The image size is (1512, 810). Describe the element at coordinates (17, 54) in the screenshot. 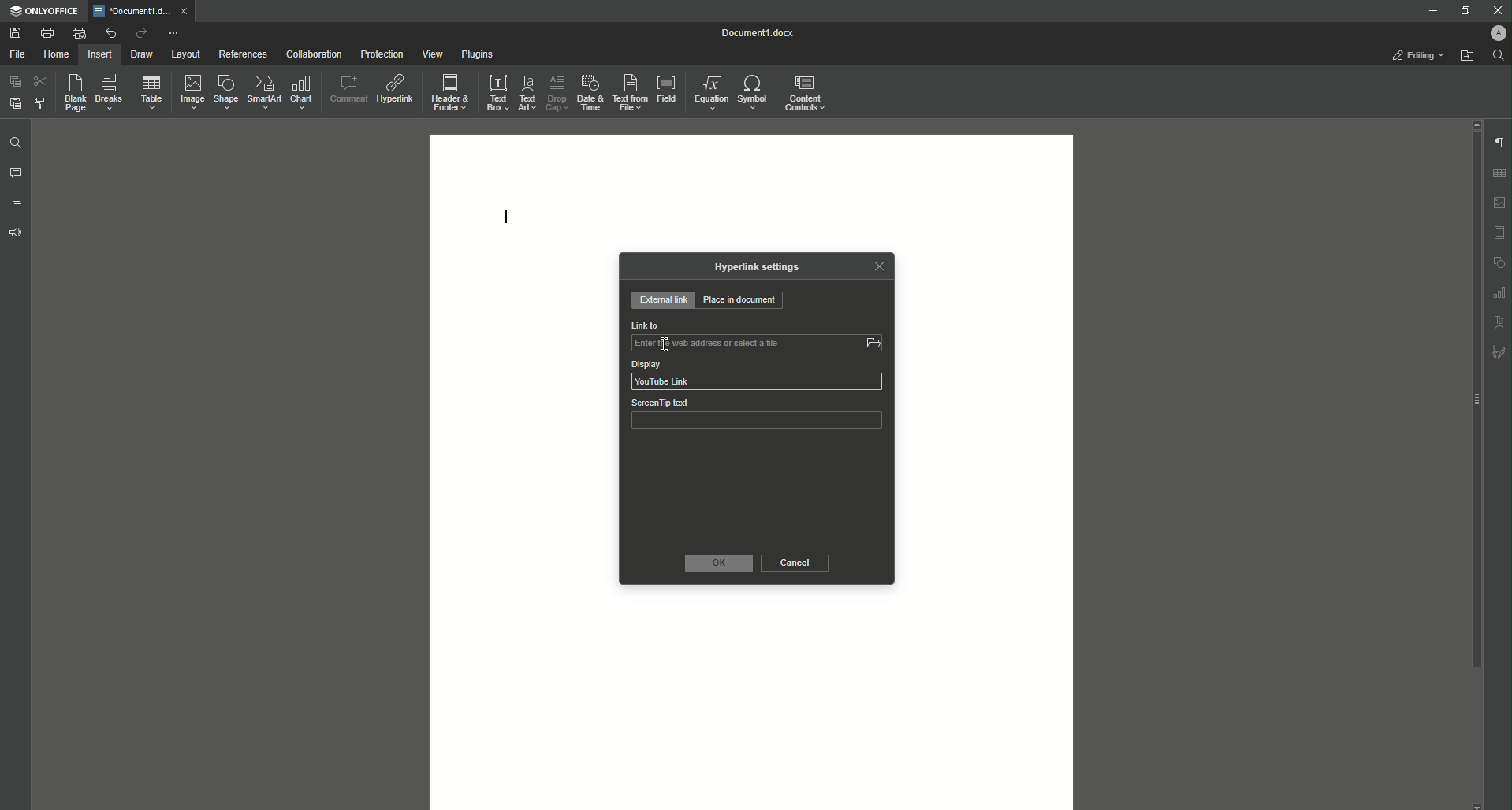

I see `File` at that location.